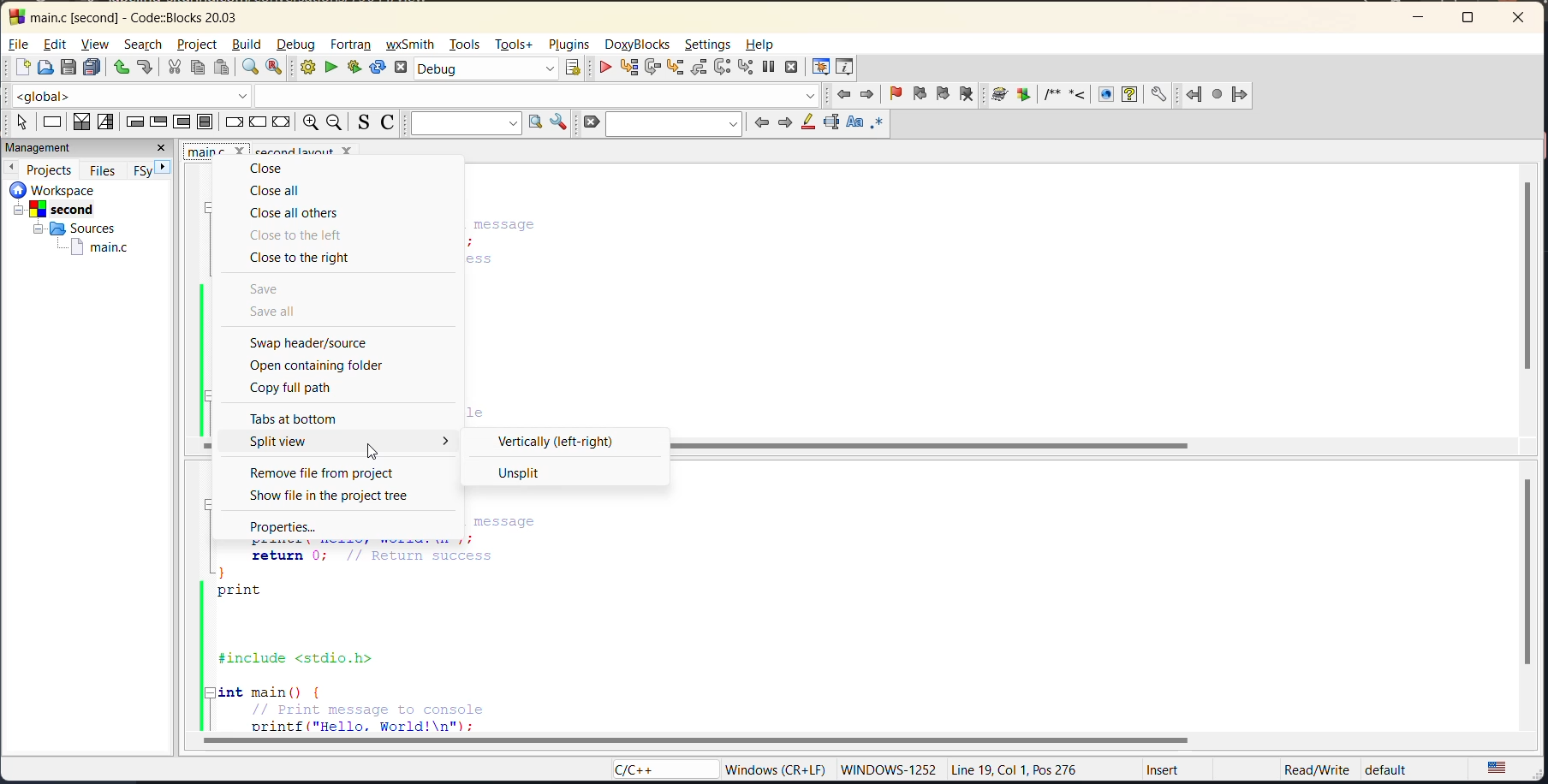 This screenshot has width=1548, height=784. I want to click on show options window, so click(558, 124).